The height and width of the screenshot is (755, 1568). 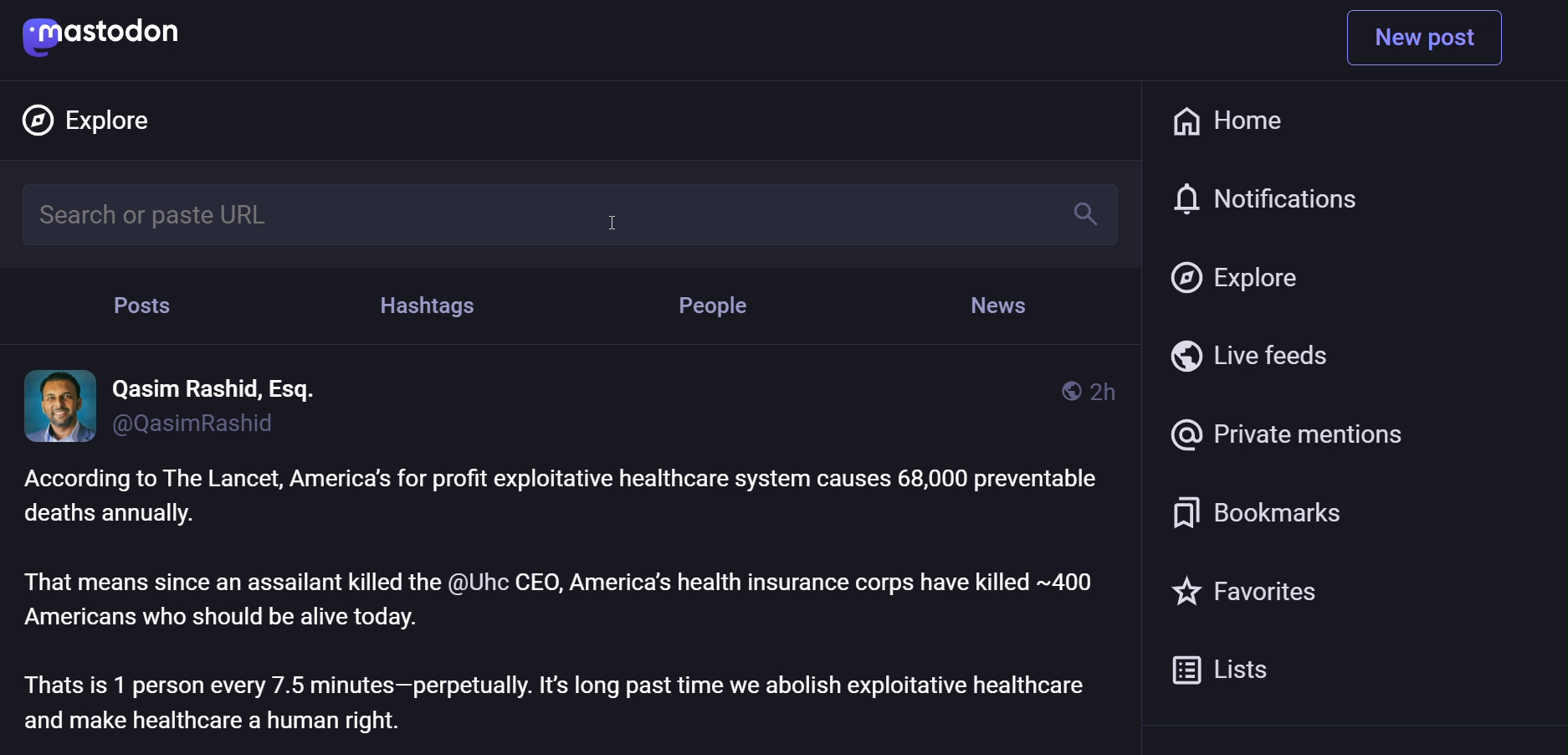 What do you see at coordinates (1266, 201) in the screenshot?
I see `notification` at bounding box center [1266, 201].